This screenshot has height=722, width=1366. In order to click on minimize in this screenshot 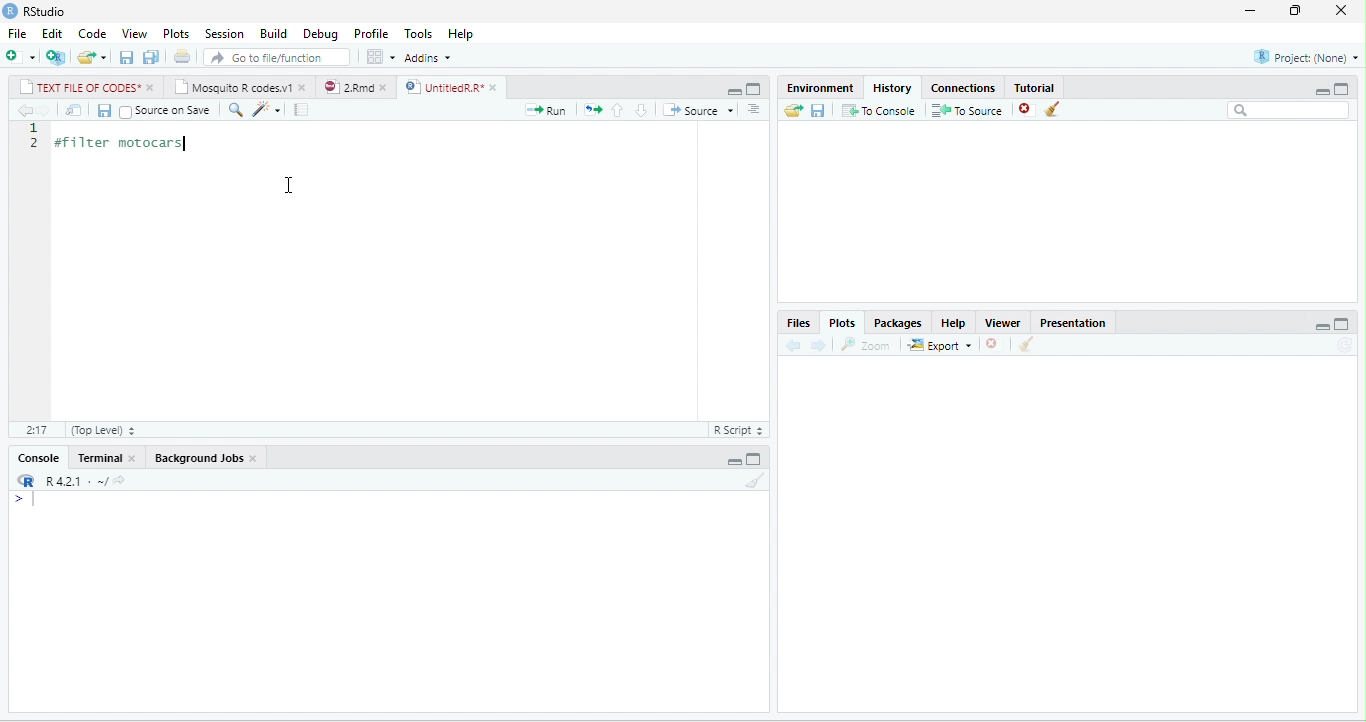, I will do `click(1322, 326)`.